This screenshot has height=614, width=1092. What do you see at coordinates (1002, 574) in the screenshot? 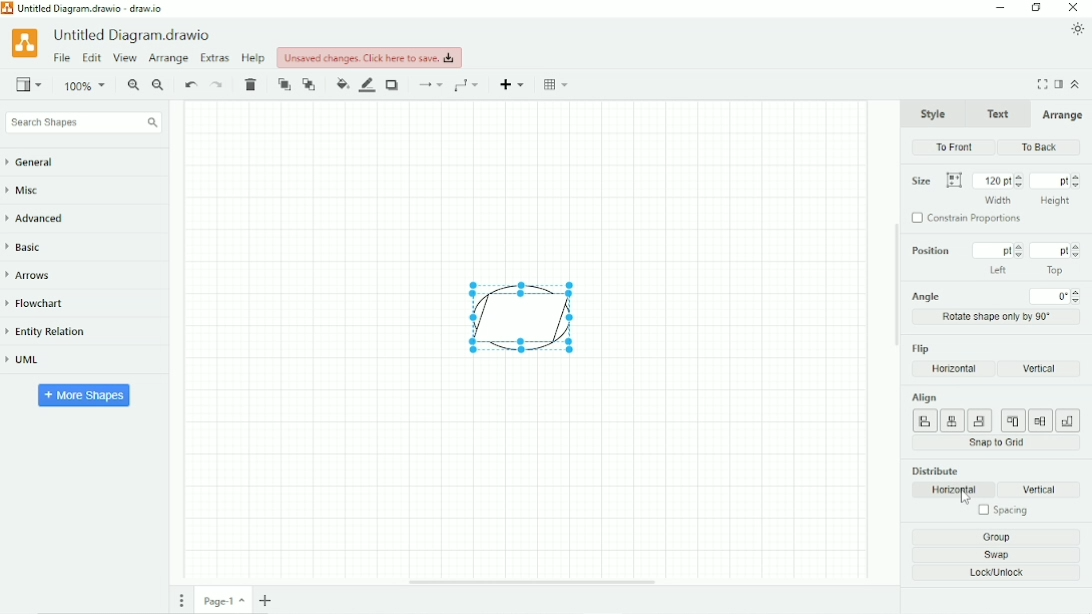
I see `Lock/Unlock` at bounding box center [1002, 574].